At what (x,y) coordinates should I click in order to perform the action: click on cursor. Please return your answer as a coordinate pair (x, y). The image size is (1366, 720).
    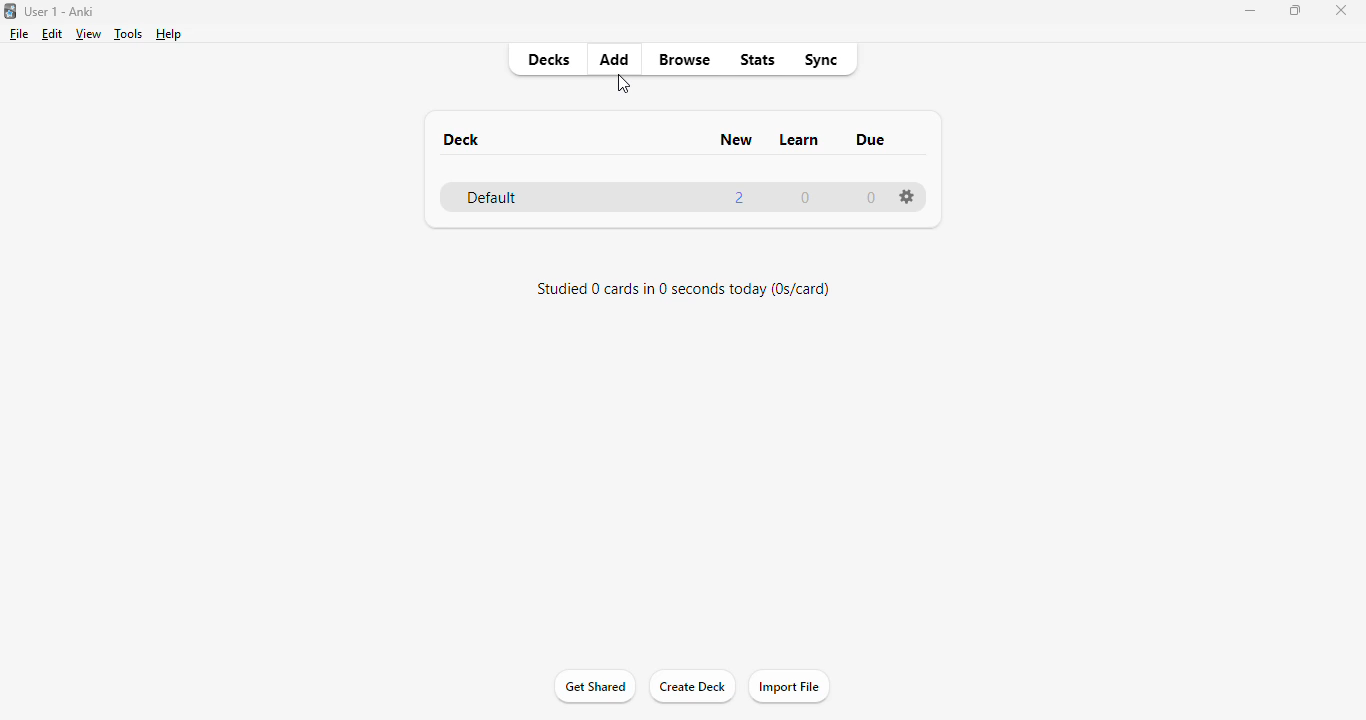
    Looking at the image, I should click on (622, 83).